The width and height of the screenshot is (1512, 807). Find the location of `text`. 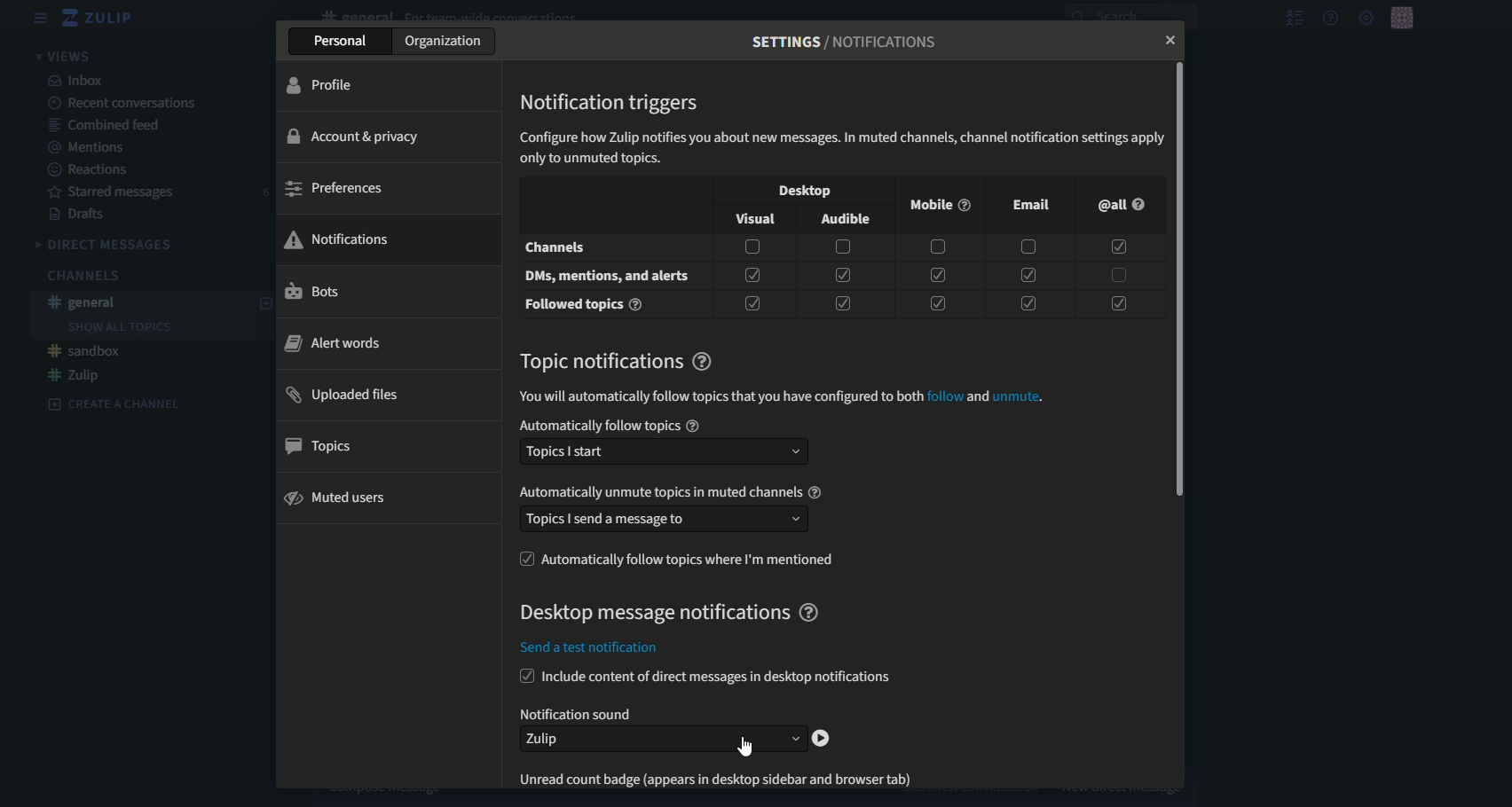

text is located at coordinates (610, 360).